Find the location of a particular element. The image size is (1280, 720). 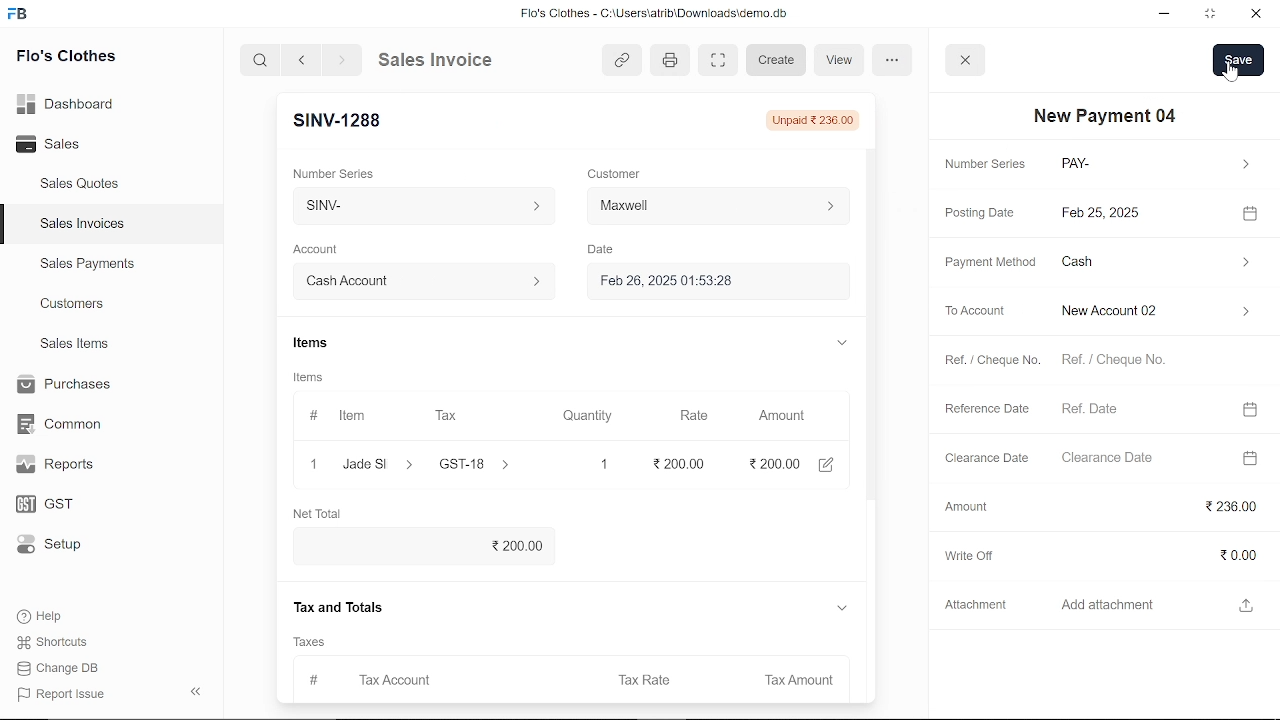

Customers. is located at coordinates (73, 304).